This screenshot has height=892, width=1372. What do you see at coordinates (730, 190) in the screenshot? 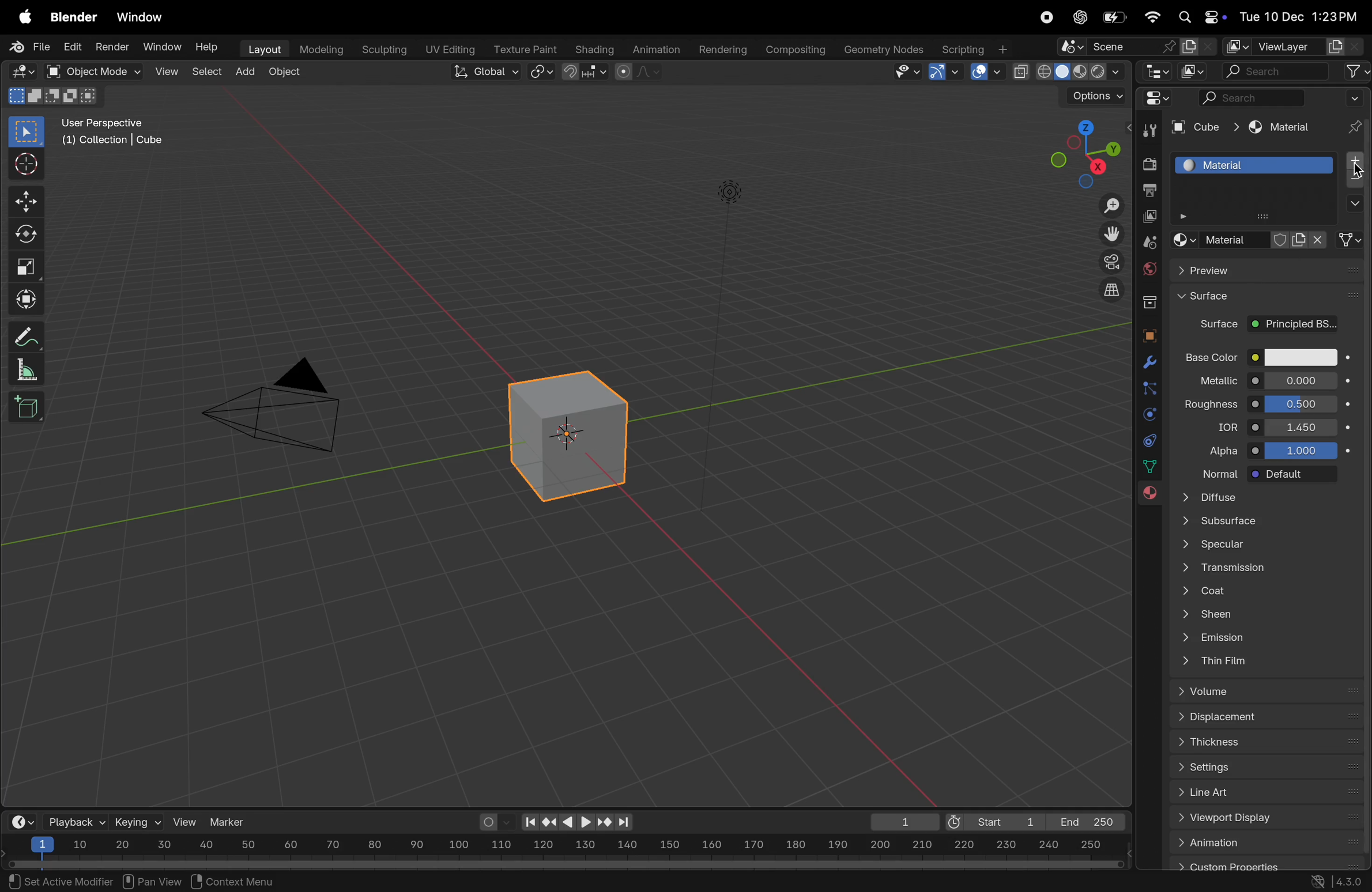
I see `light` at bounding box center [730, 190].